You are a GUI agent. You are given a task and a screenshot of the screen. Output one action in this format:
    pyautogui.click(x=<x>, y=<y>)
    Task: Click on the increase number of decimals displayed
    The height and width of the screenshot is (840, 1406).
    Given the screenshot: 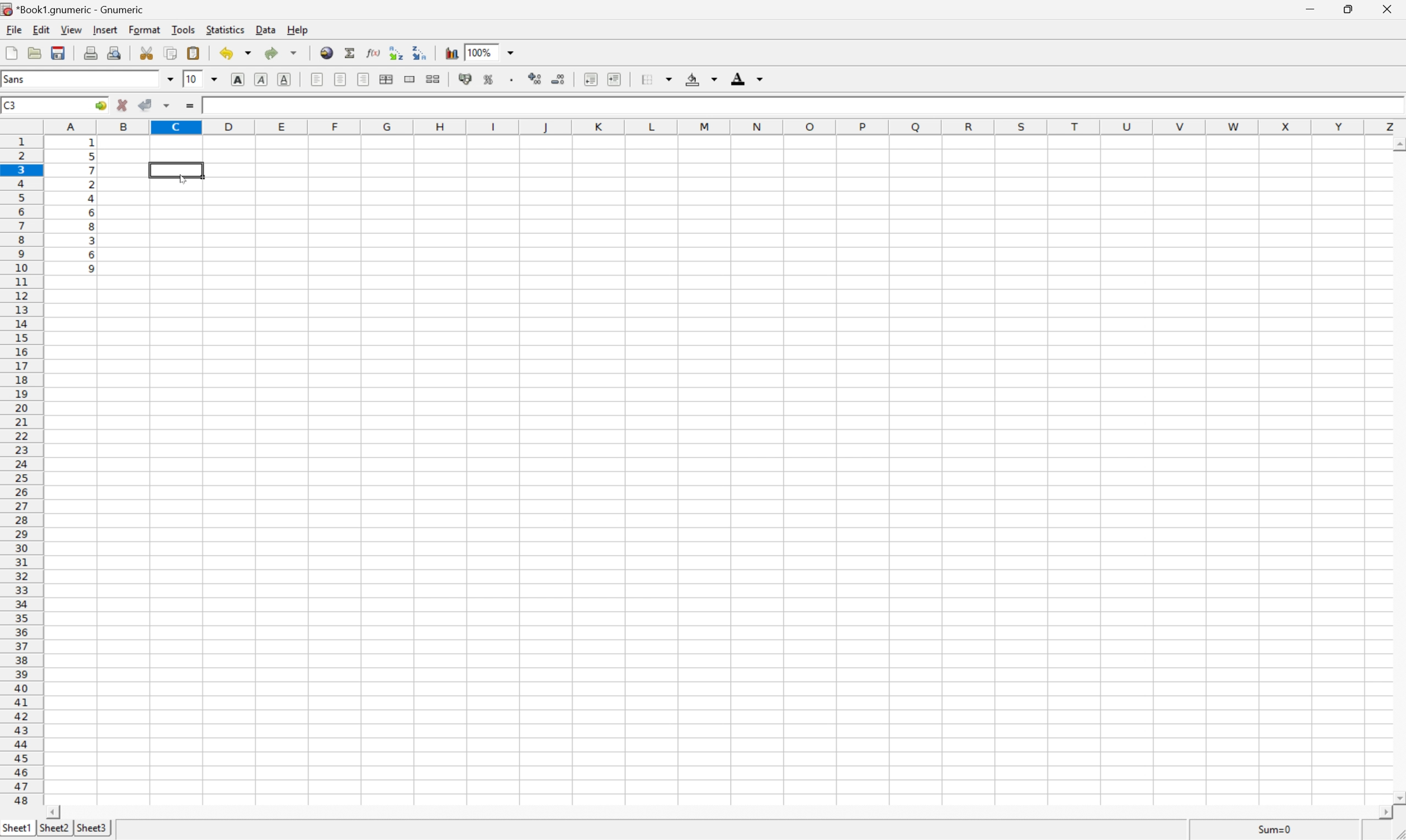 What is the action you would take?
    pyautogui.click(x=533, y=80)
    